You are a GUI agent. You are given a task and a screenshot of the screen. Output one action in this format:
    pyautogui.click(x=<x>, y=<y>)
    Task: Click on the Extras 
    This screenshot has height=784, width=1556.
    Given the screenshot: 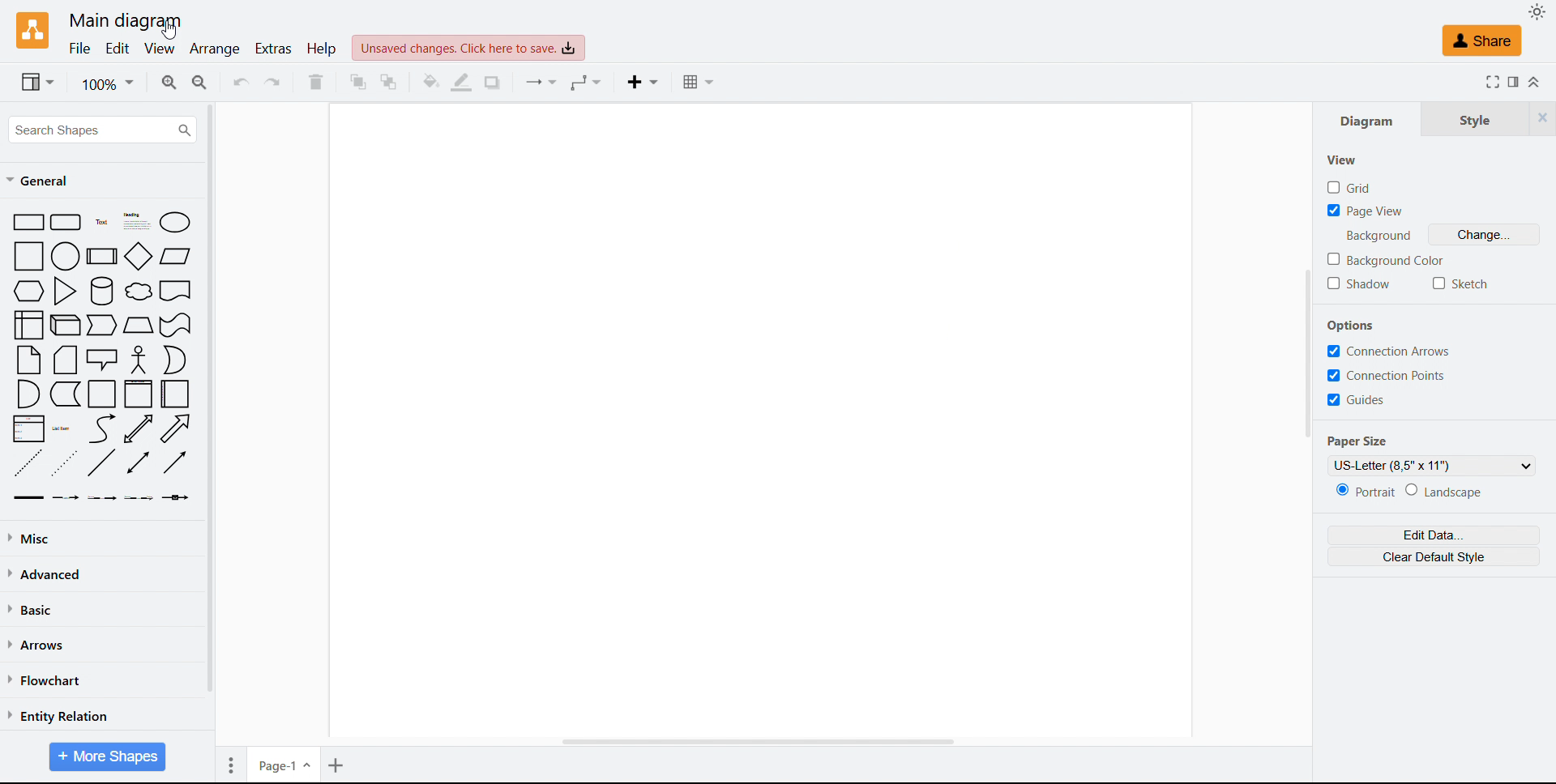 What is the action you would take?
    pyautogui.click(x=272, y=49)
    